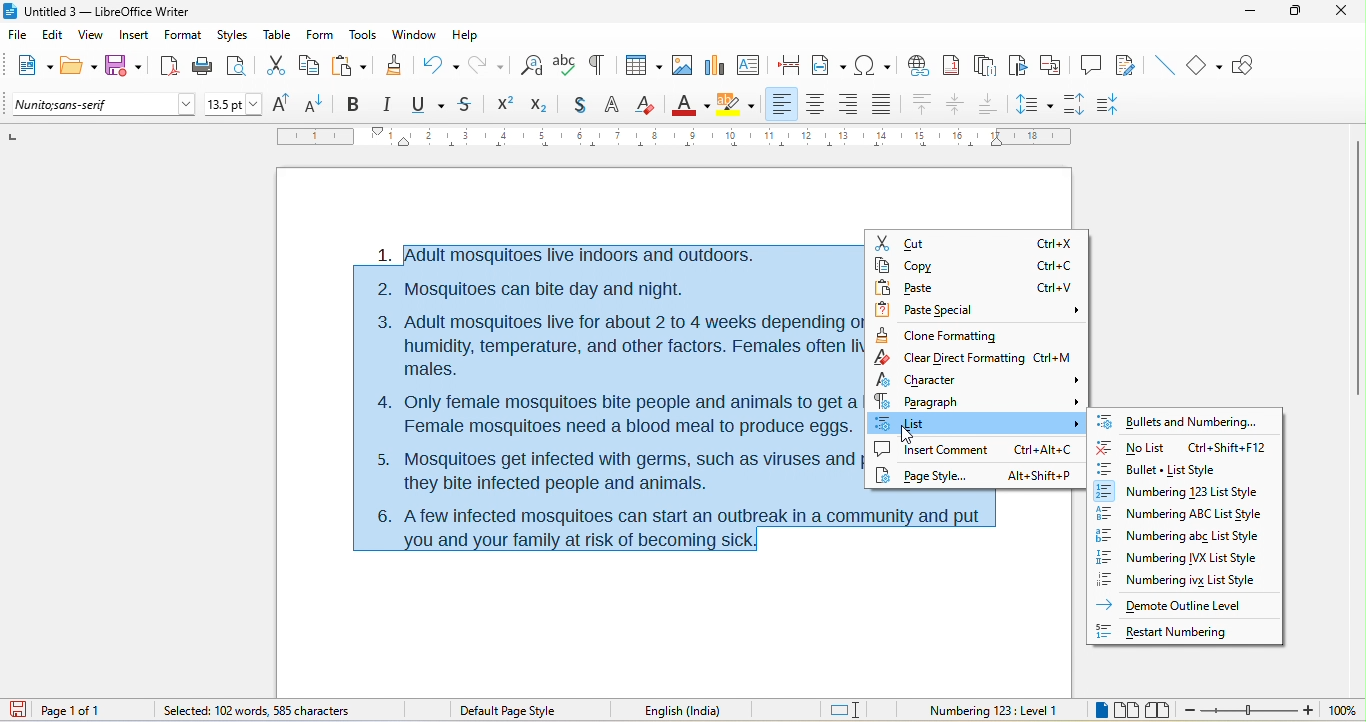 This screenshot has width=1366, height=722. Describe the element at coordinates (489, 64) in the screenshot. I see `redo` at that location.